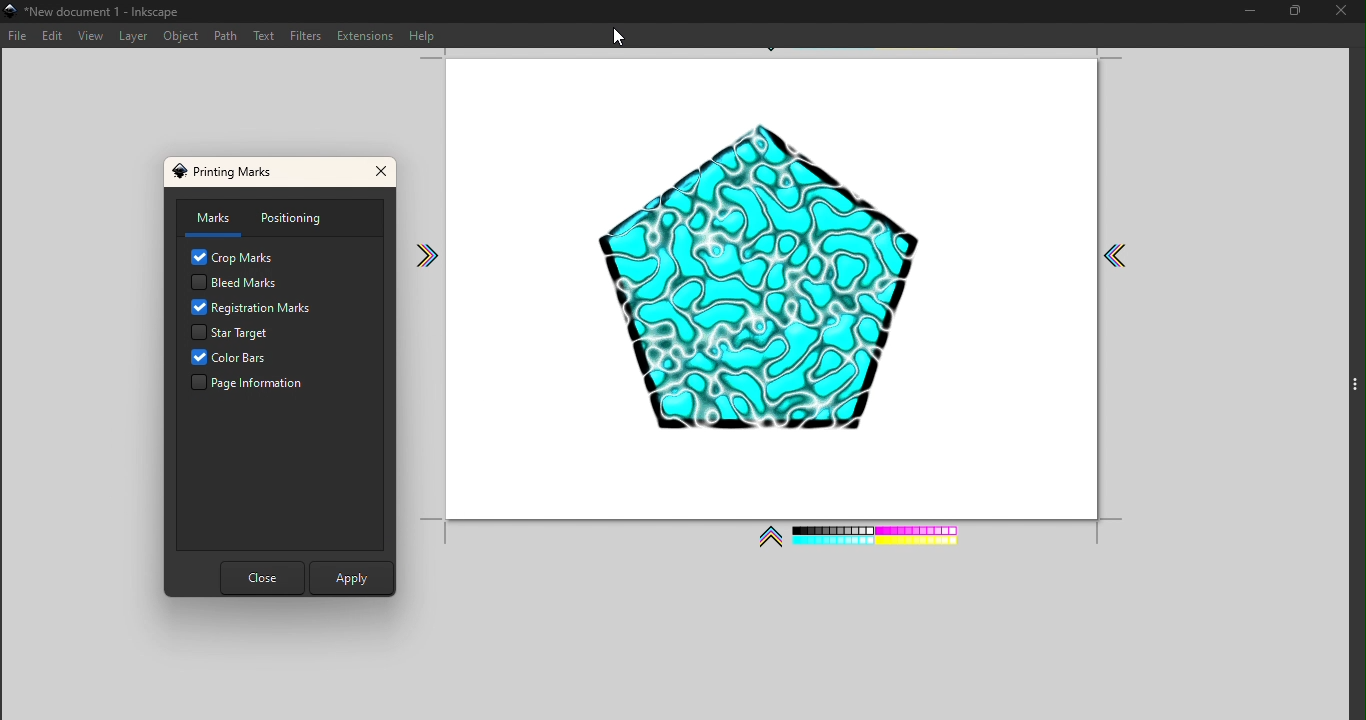 This screenshot has height=720, width=1366. Describe the element at coordinates (184, 37) in the screenshot. I see `Object` at that location.